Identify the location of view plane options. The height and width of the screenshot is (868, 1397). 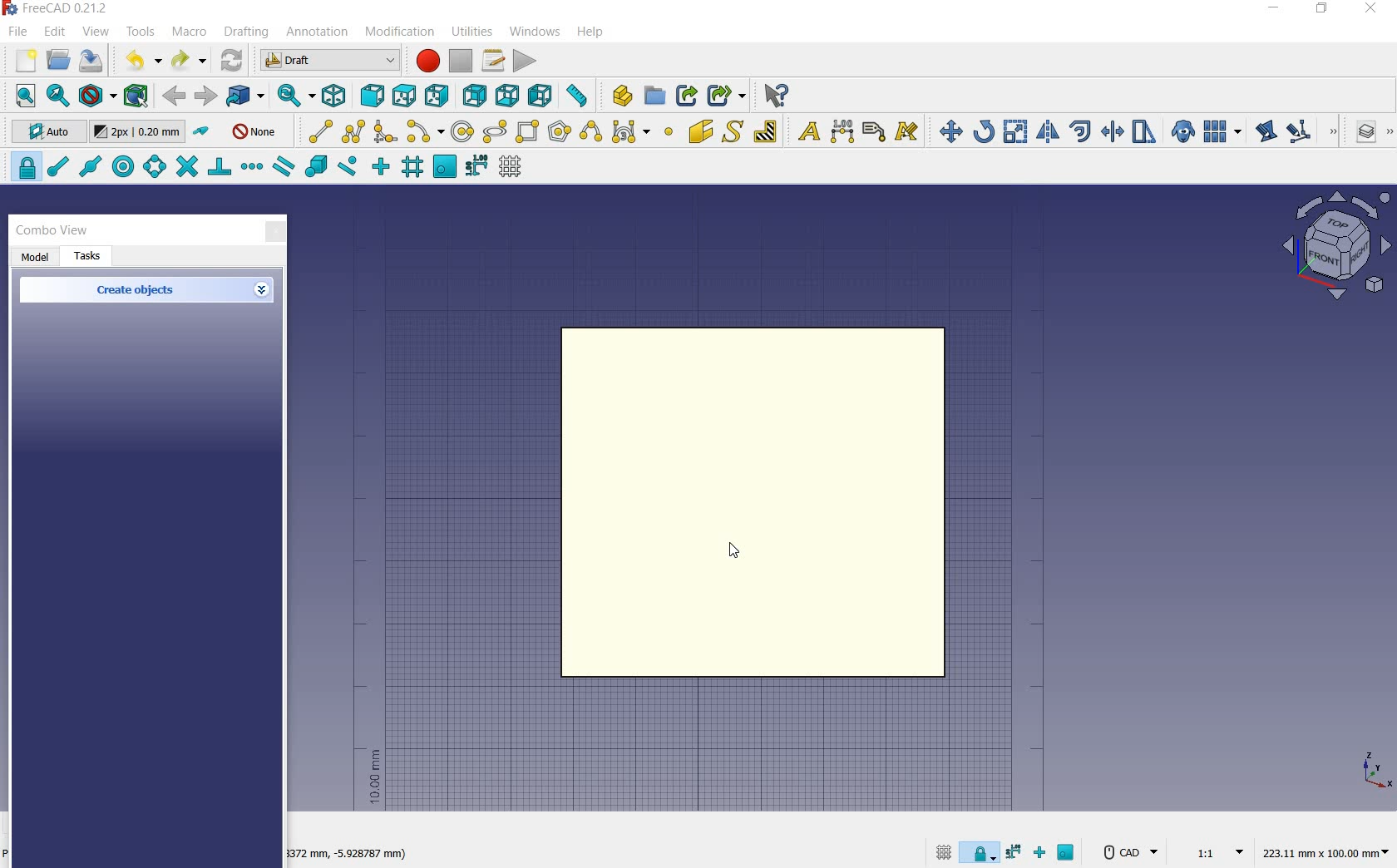
(1337, 248).